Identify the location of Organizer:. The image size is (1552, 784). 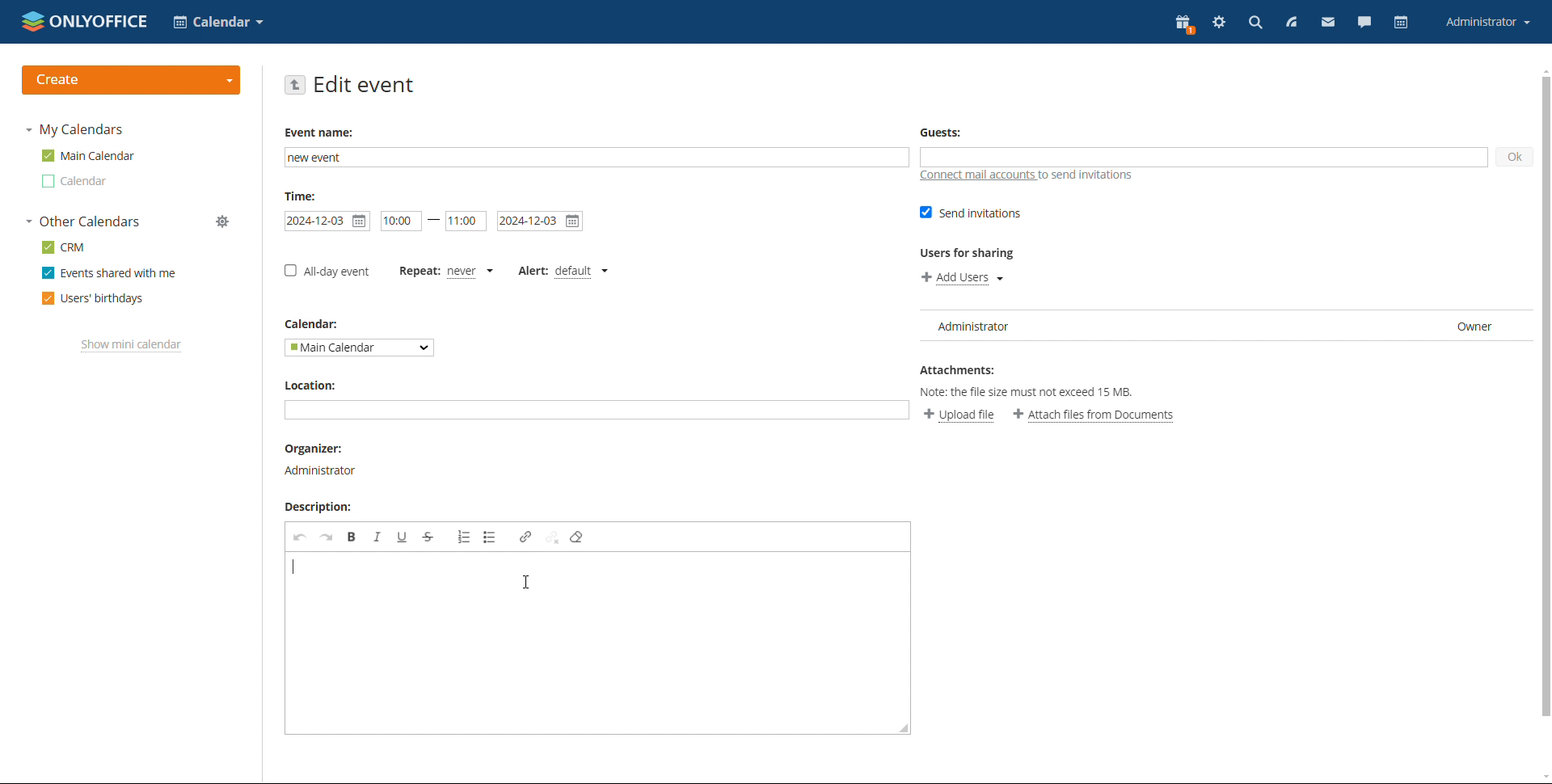
(310, 448).